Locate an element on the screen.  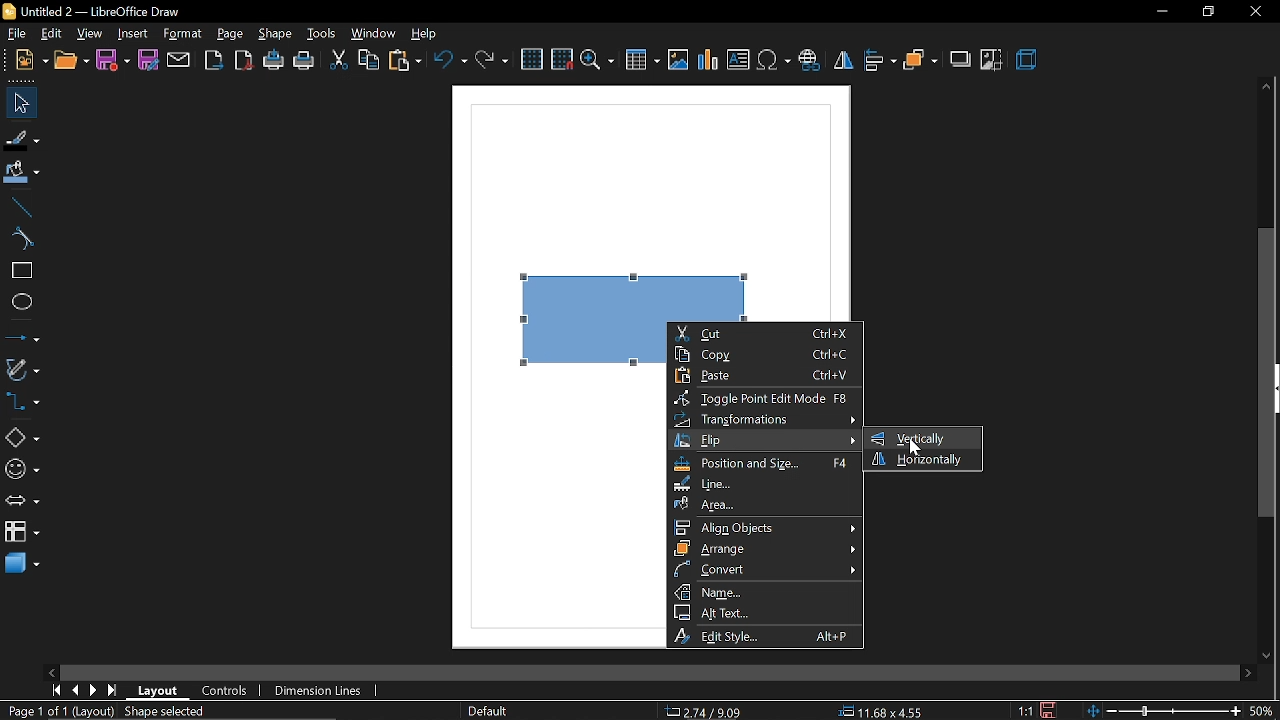
change zoom is located at coordinates (1163, 712).